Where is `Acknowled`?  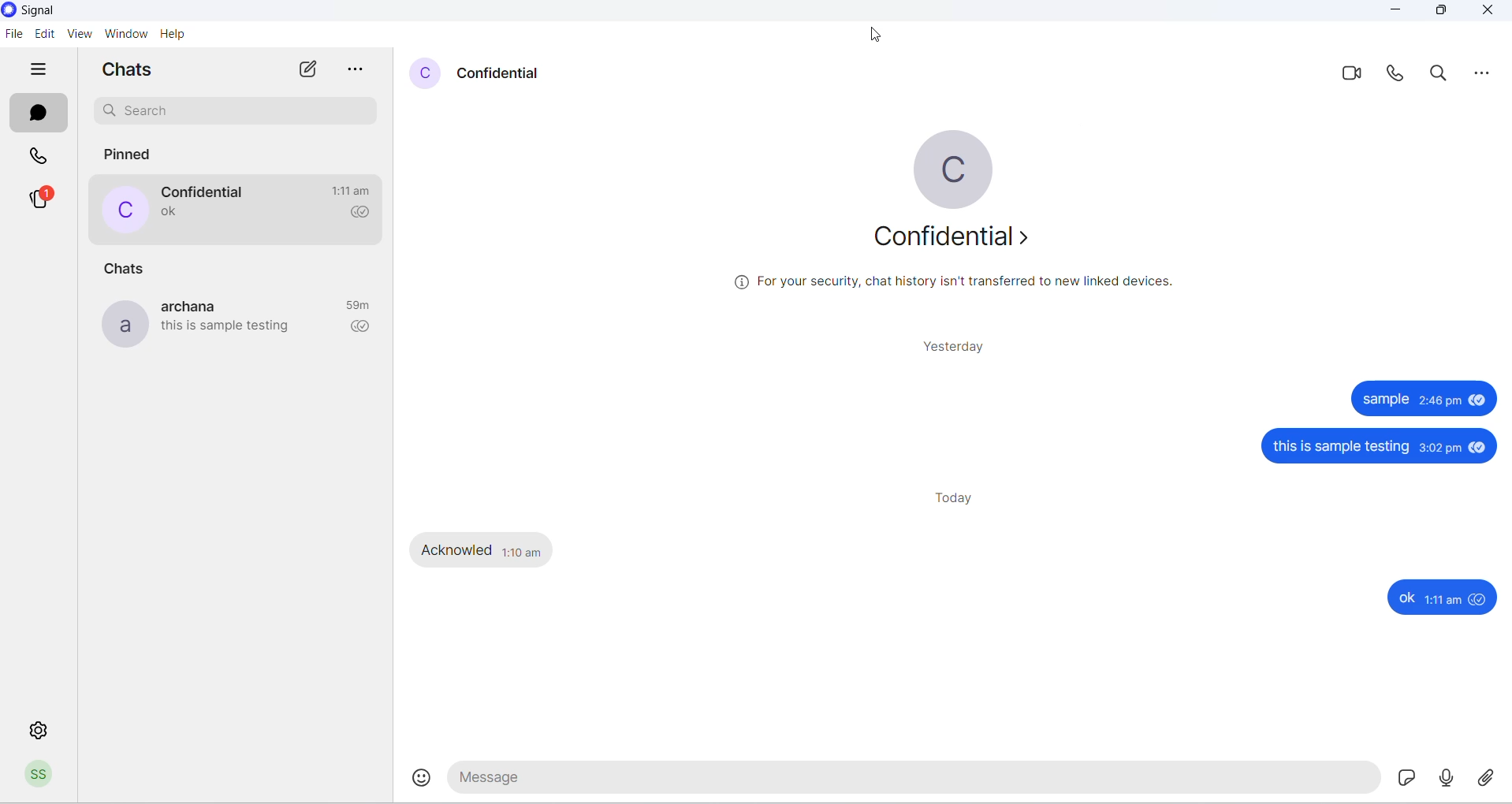 Acknowled is located at coordinates (457, 549).